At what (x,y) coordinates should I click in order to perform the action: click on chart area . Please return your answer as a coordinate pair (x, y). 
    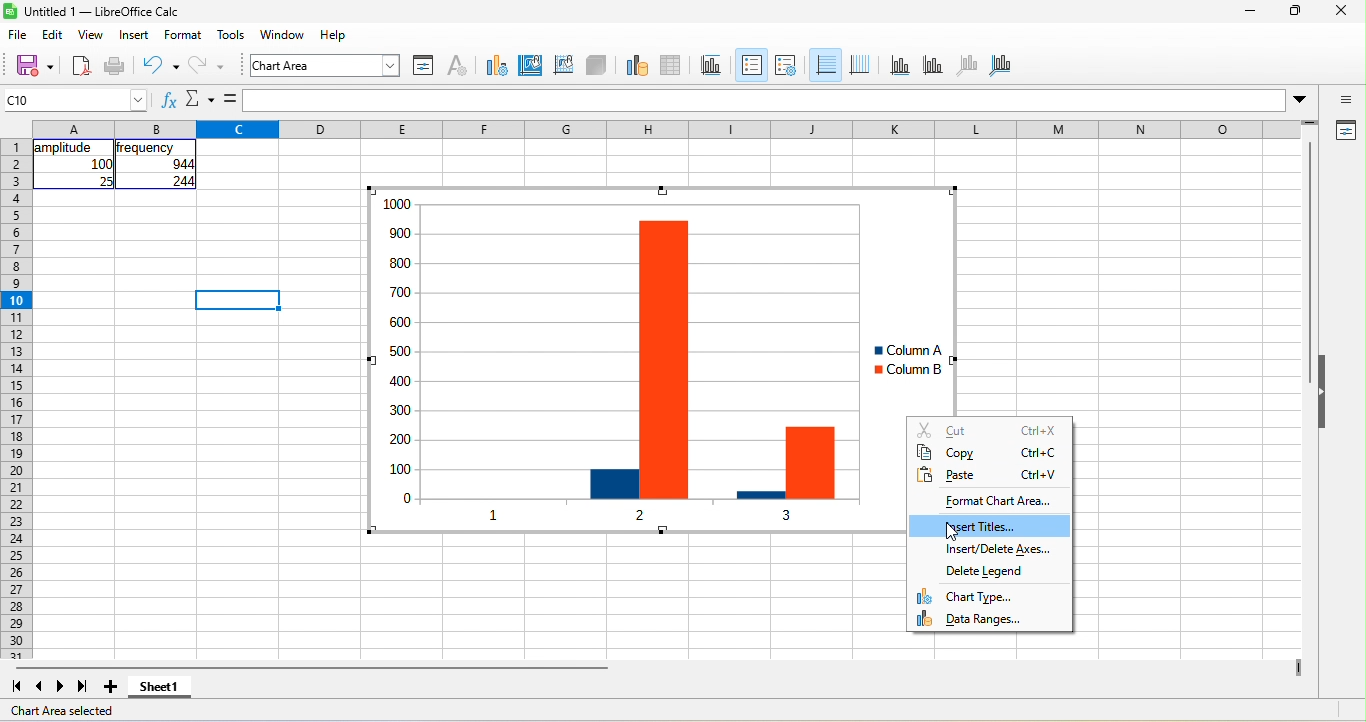
    Looking at the image, I should click on (531, 66).